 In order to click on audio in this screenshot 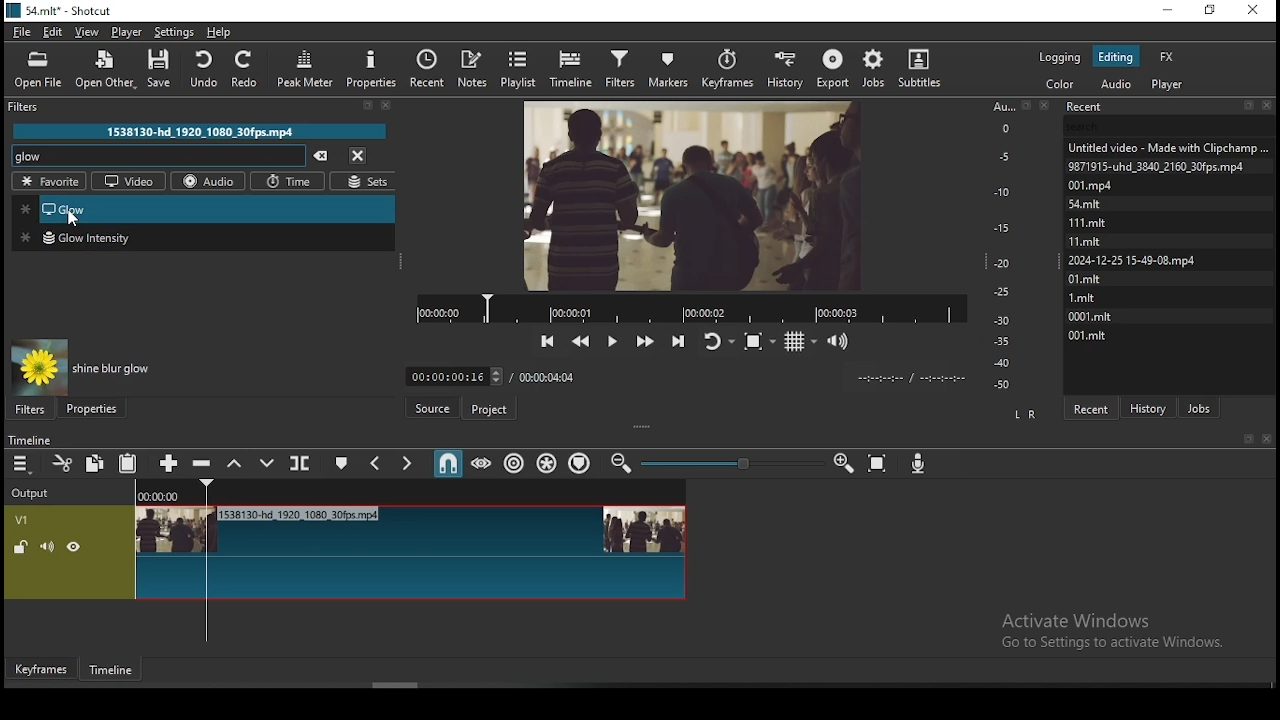, I will do `click(1115, 84)`.